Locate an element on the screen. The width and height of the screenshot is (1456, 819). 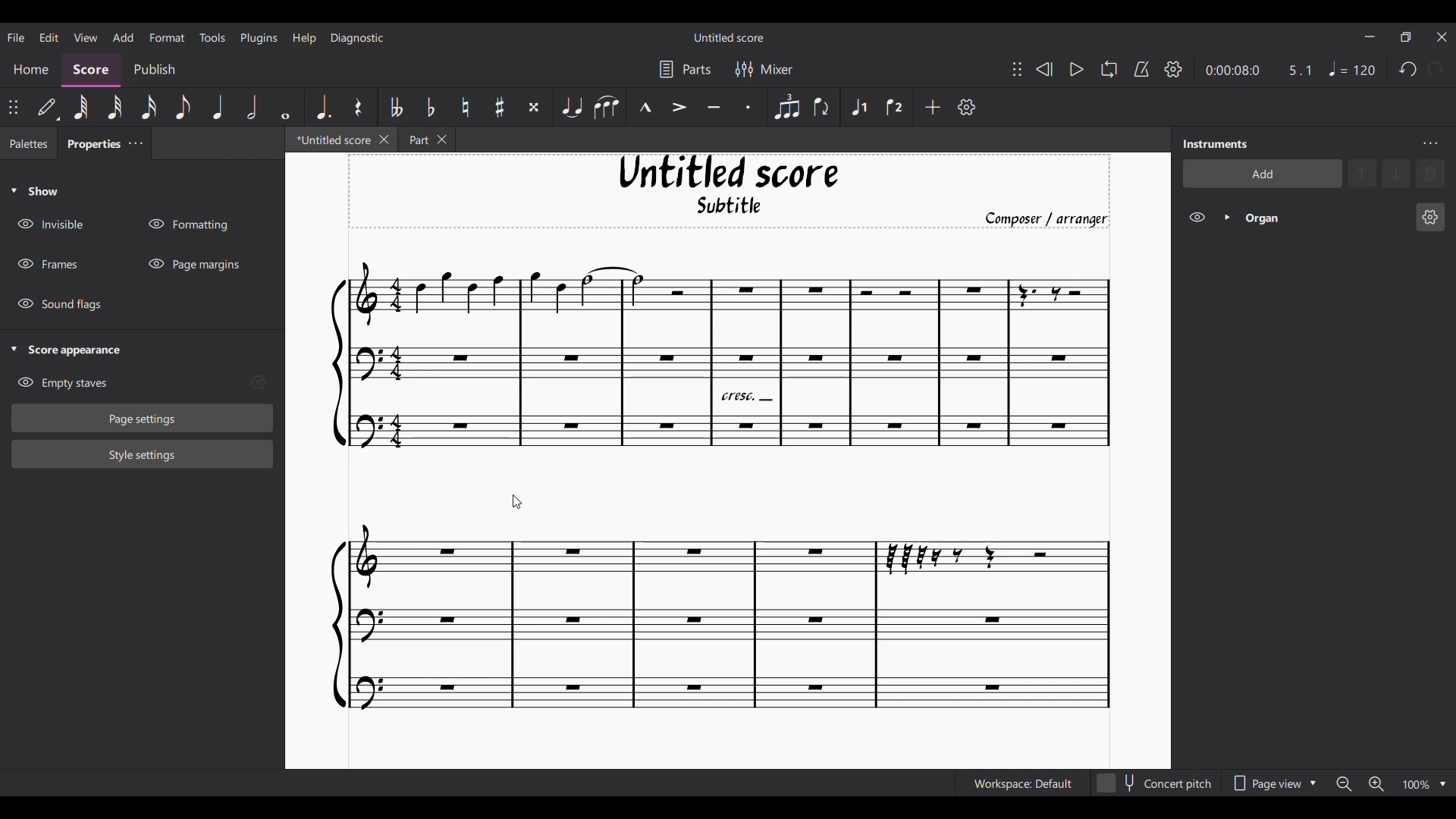
Help menu is located at coordinates (304, 37).